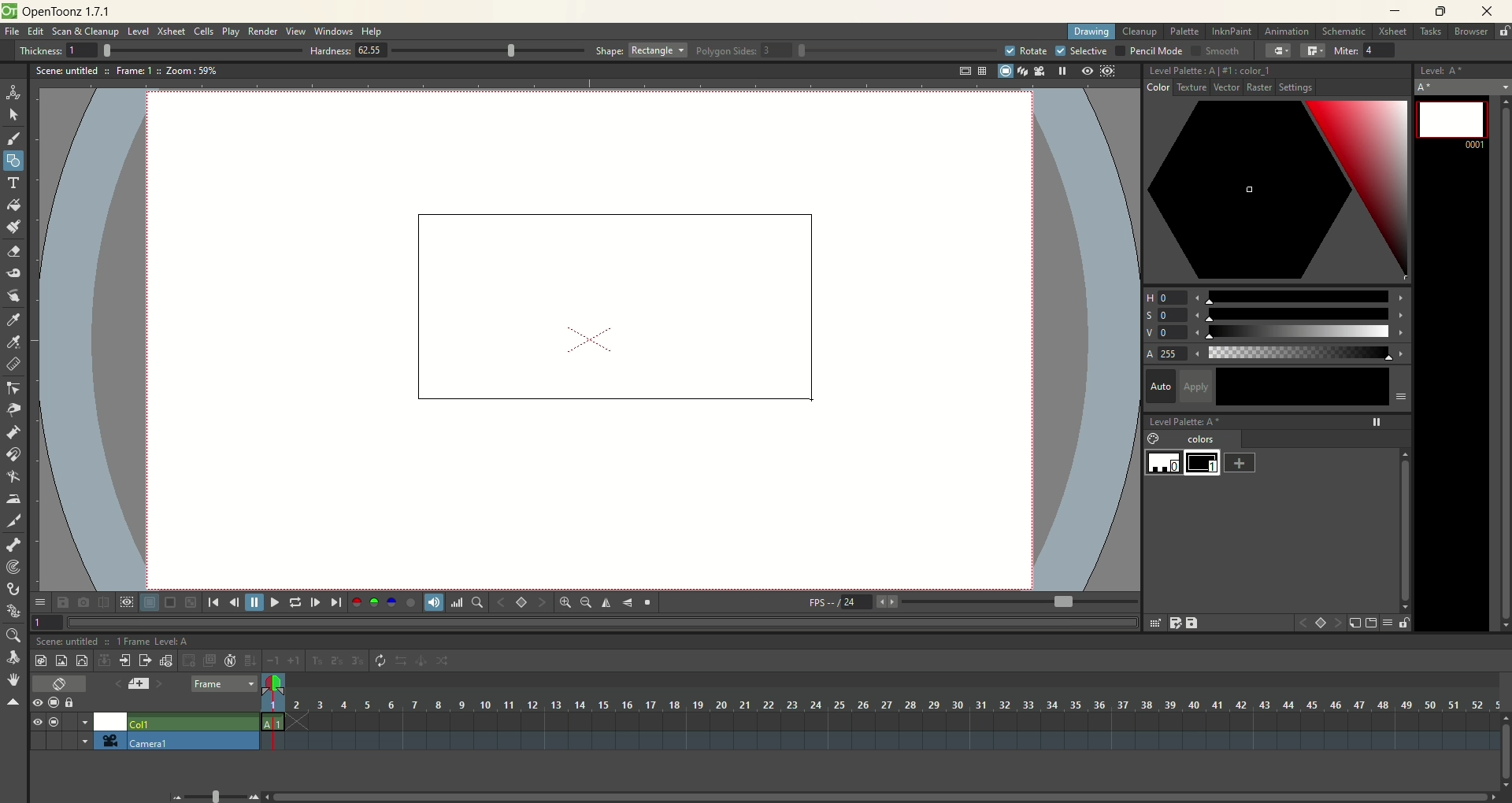  I want to click on browse, so click(1472, 32).